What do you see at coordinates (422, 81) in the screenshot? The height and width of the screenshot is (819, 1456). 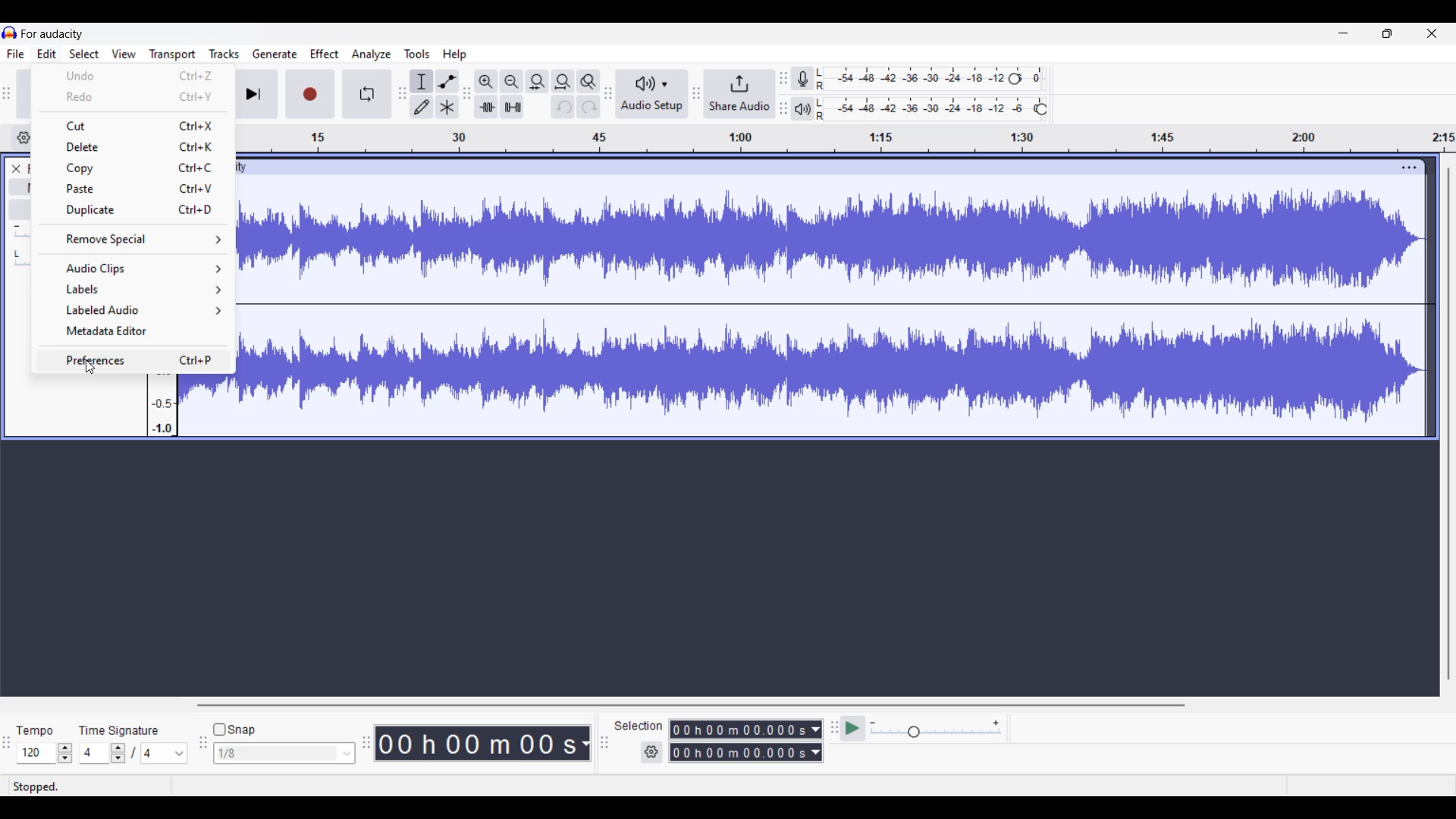 I see `Selection tool` at bounding box center [422, 81].